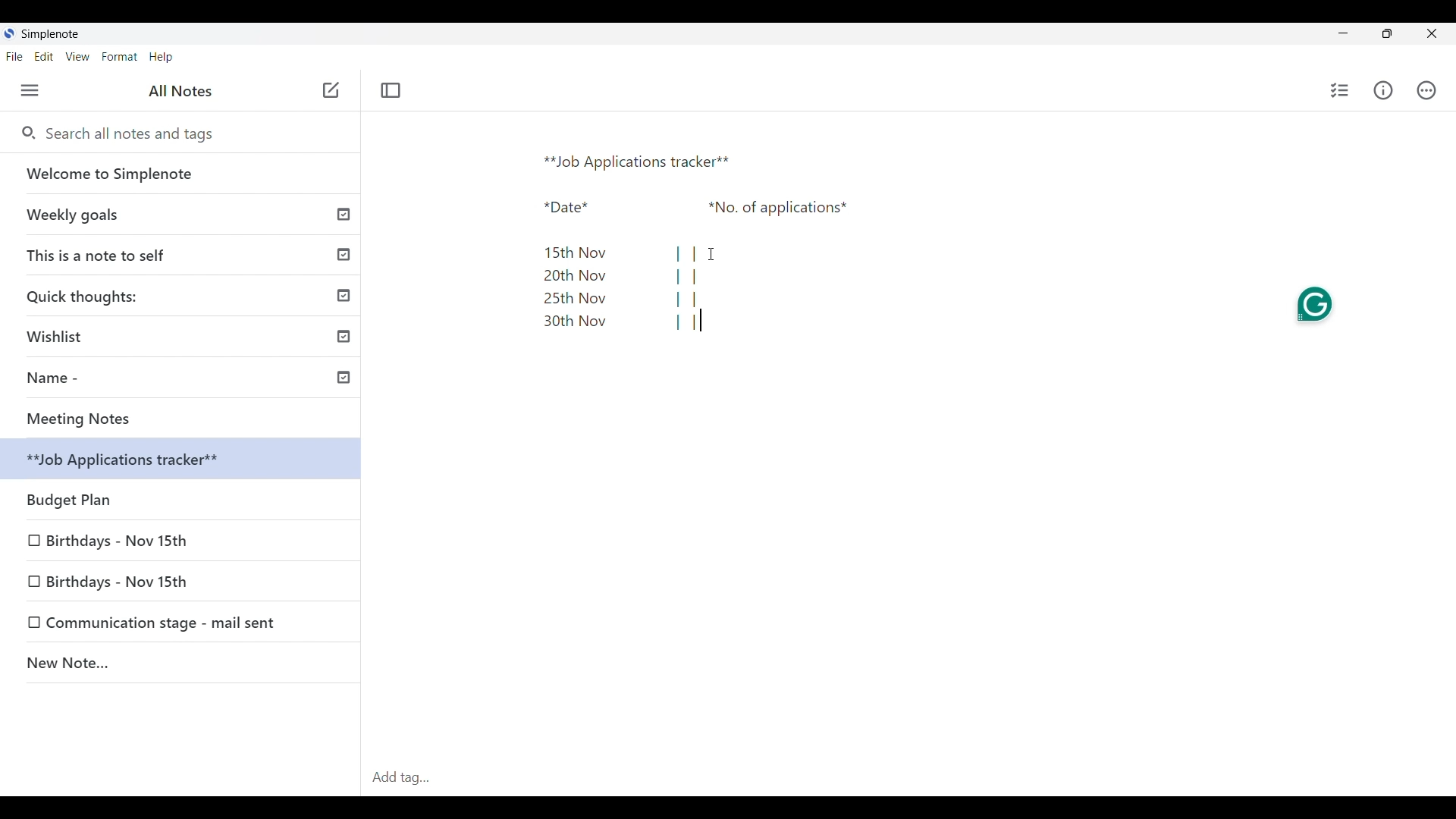 Image resolution: width=1456 pixels, height=819 pixels. Describe the element at coordinates (120, 57) in the screenshot. I see `Format` at that location.